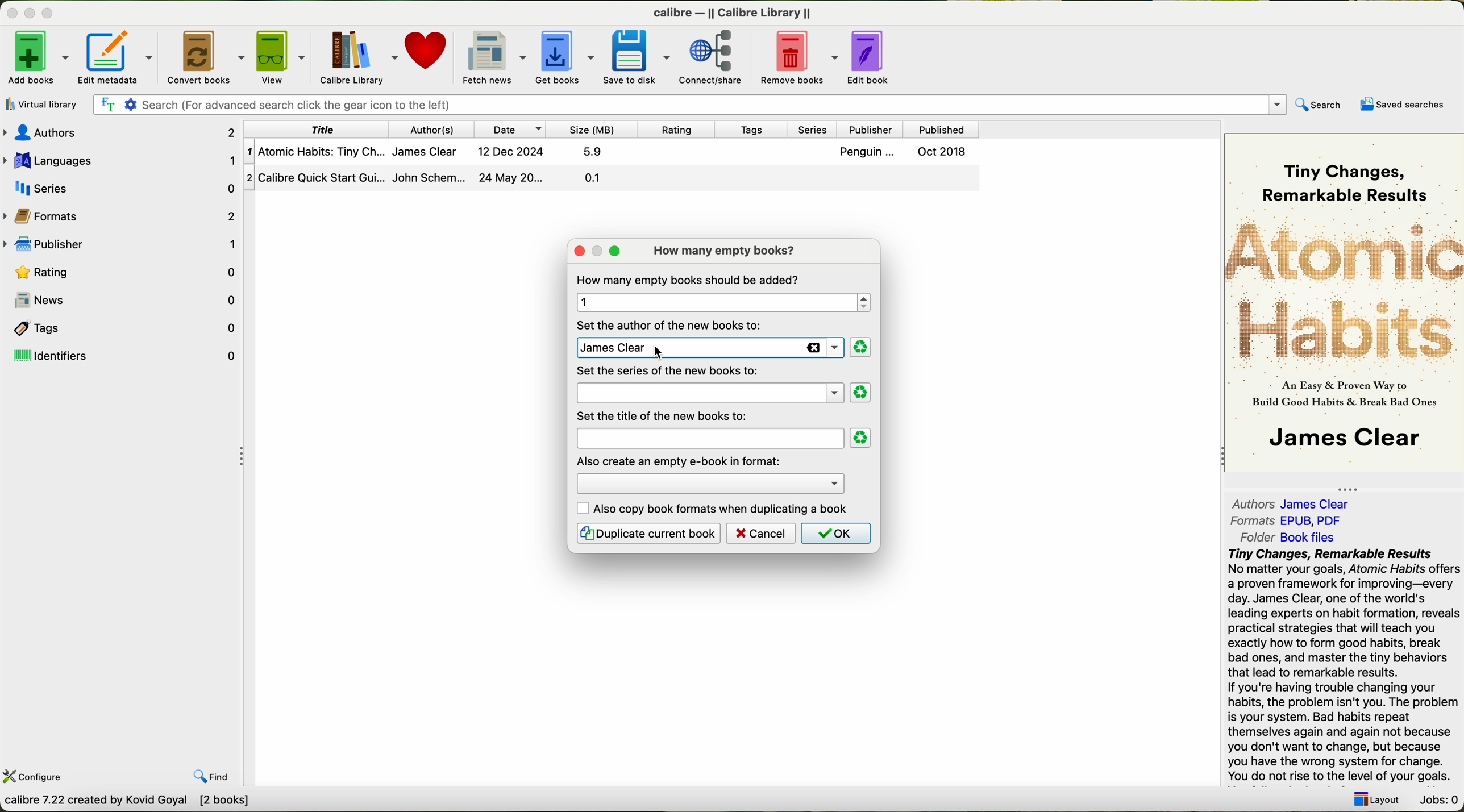 The width and height of the screenshot is (1464, 812). Describe the element at coordinates (123, 215) in the screenshot. I see `formats` at that location.